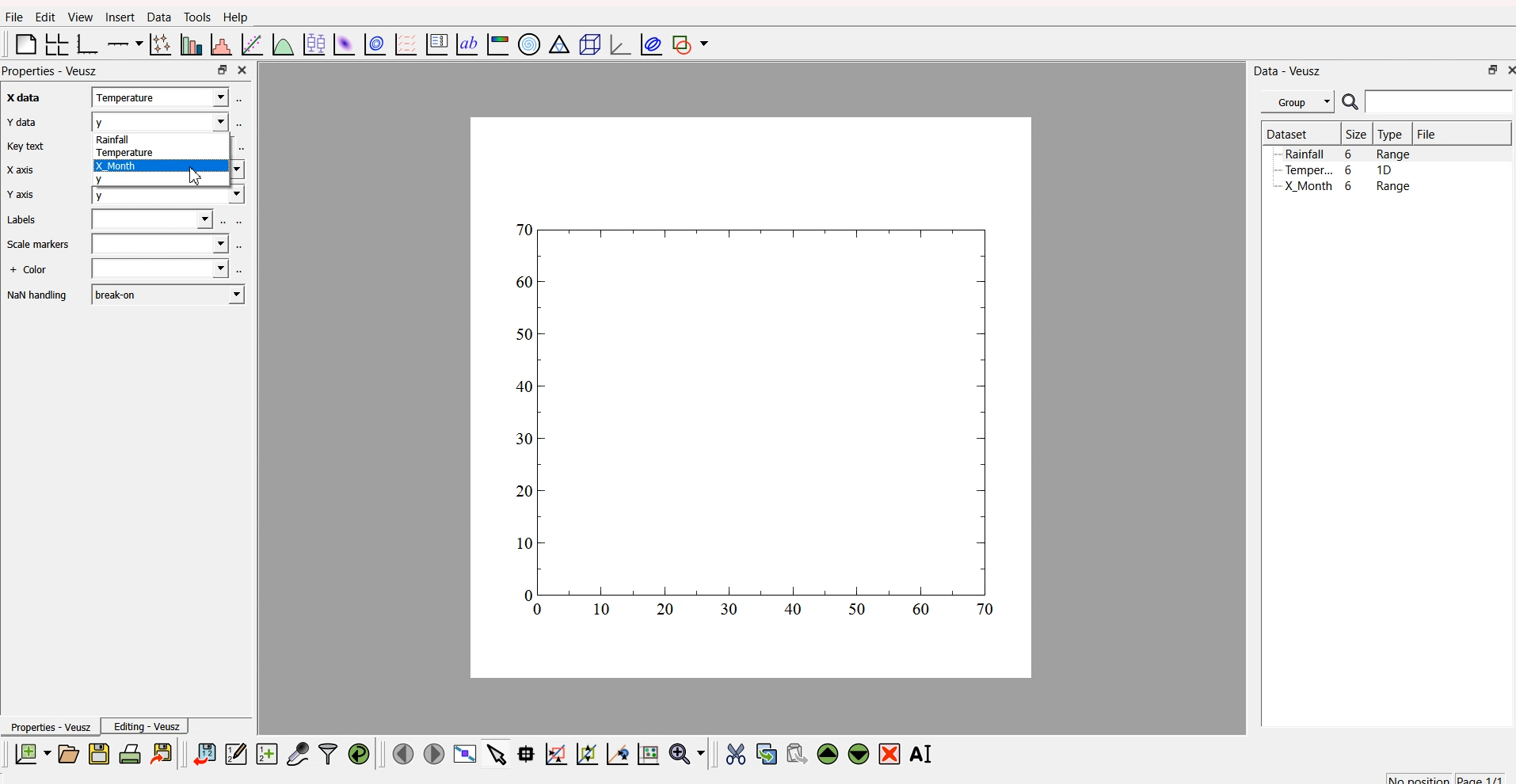  What do you see at coordinates (168, 293) in the screenshot?
I see `break-on` at bounding box center [168, 293].